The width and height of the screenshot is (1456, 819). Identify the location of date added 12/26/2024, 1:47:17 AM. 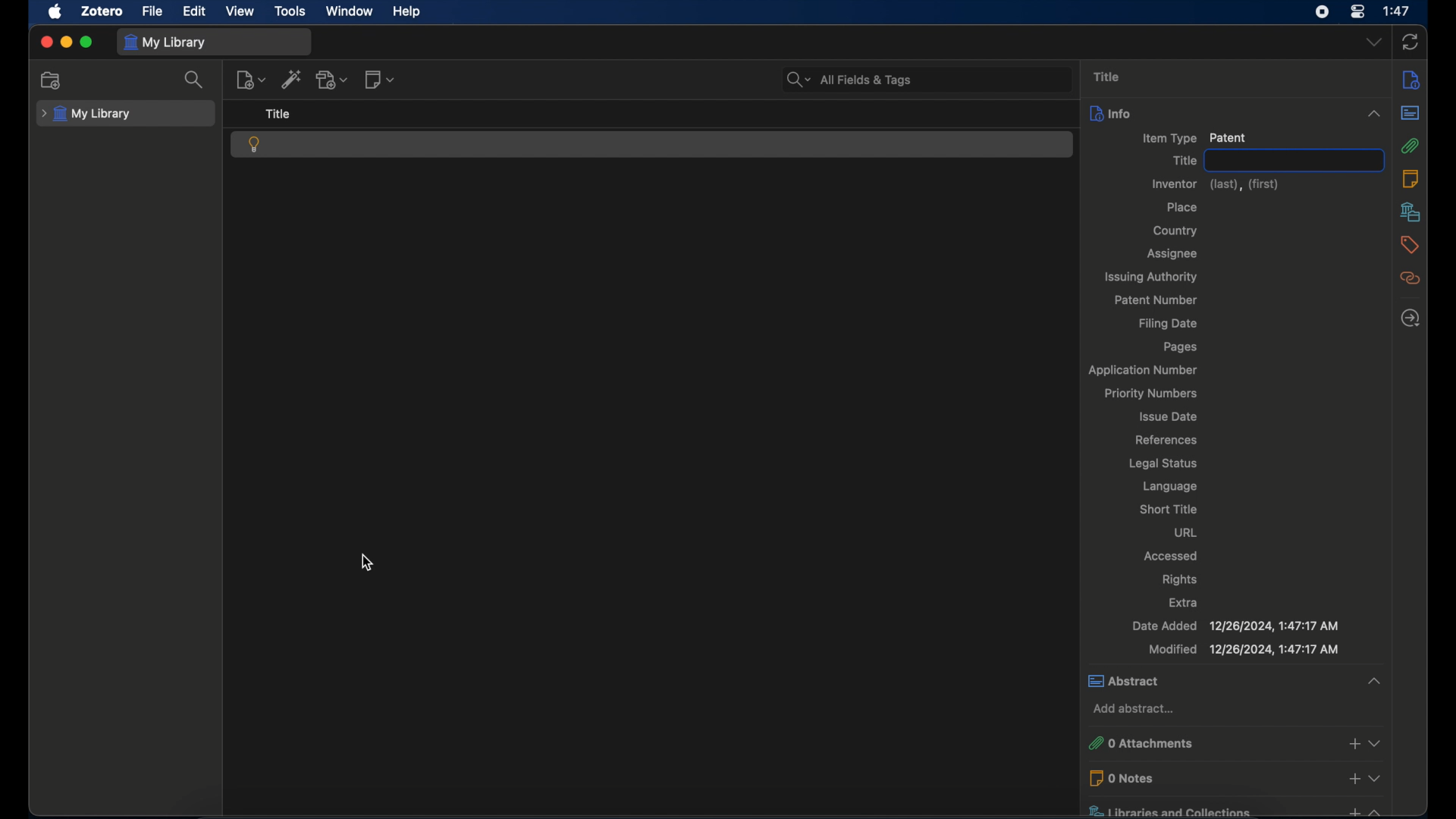
(1235, 626).